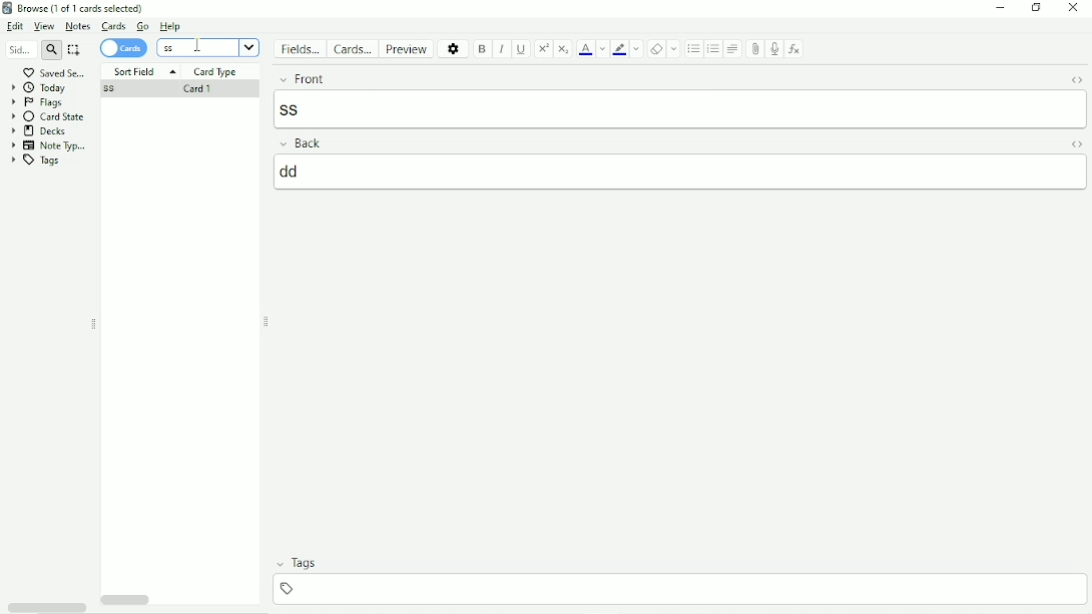 This screenshot has width=1092, height=614. What do you see at coordinates (656, 49) in the screenshot?
I see `Remove formatting` at bounding box center [656, 49].